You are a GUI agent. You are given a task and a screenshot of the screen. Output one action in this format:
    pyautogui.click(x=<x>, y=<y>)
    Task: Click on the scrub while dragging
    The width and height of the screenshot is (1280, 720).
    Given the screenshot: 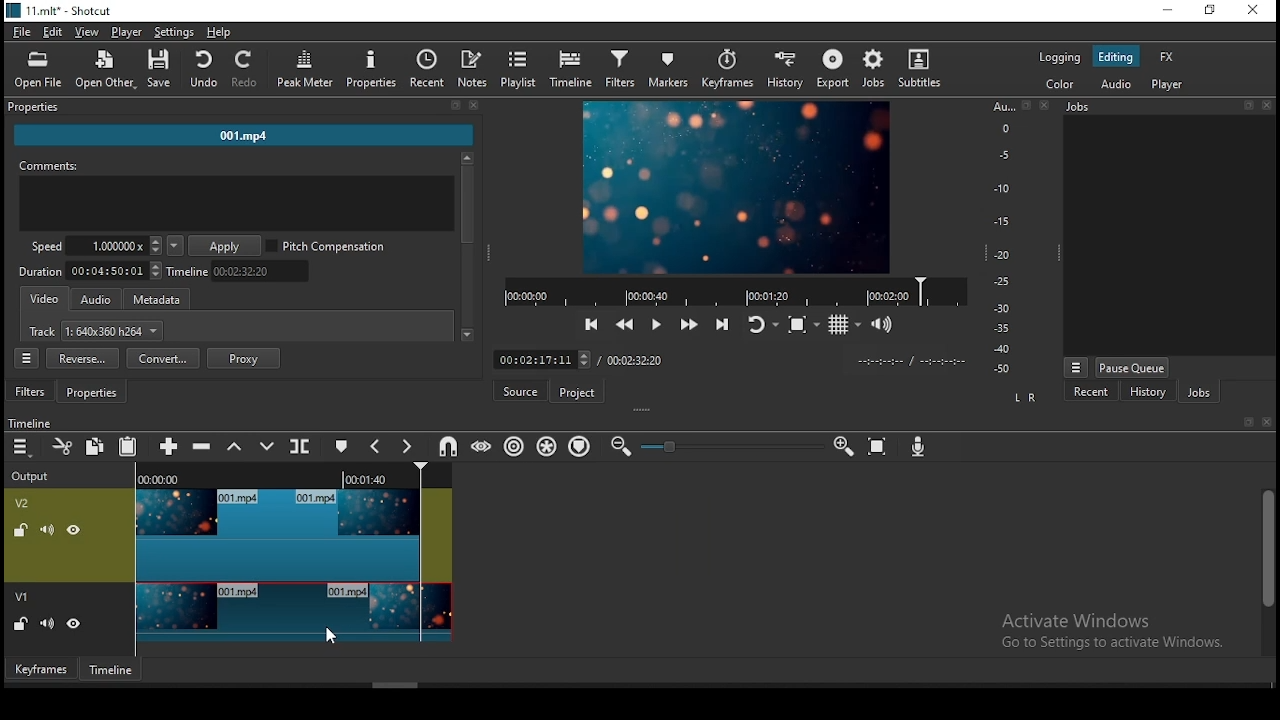 What is the action you would take?
    pyautogui.click(x=484, y=445)
    